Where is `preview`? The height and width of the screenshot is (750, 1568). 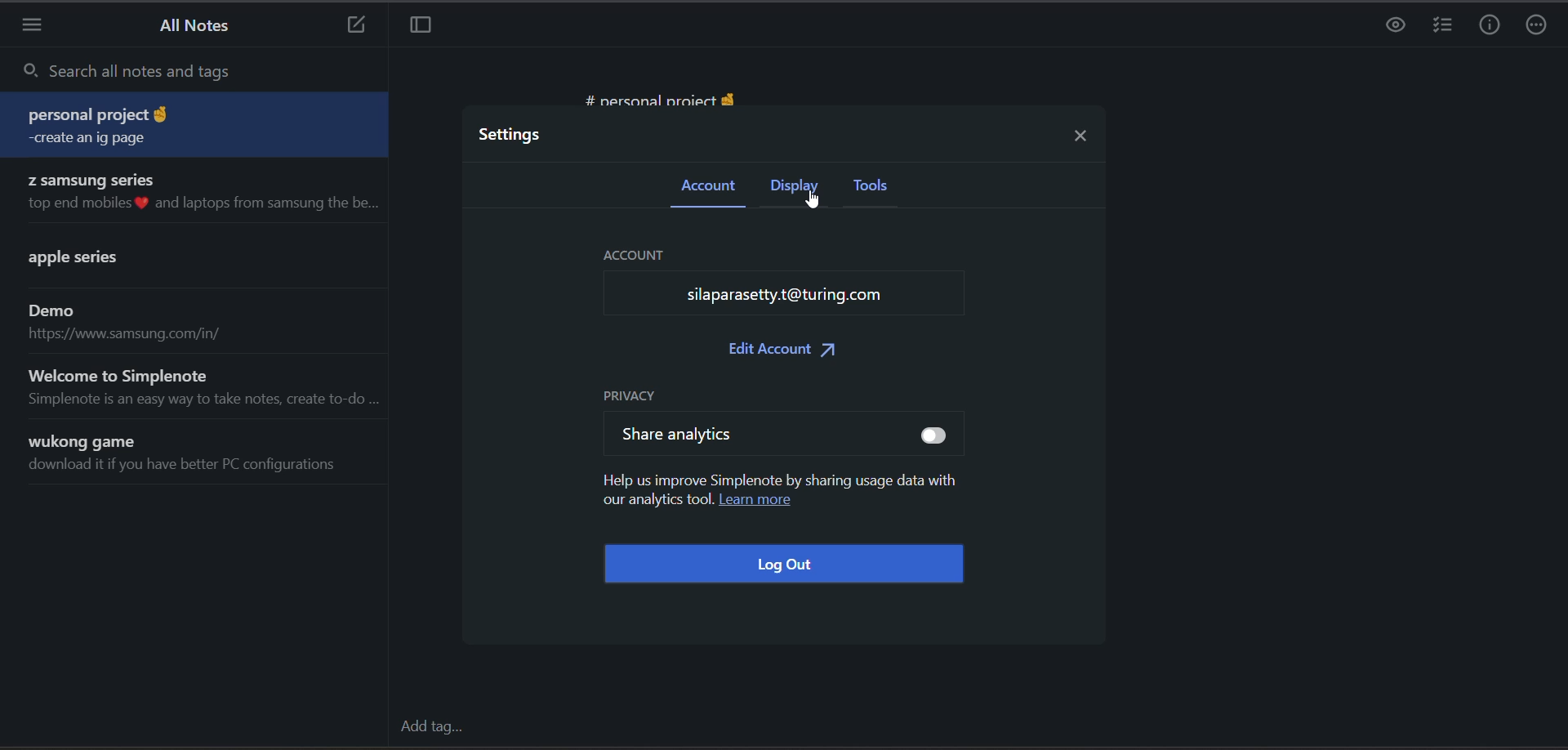
preview is located at coordinates (1391, 26).